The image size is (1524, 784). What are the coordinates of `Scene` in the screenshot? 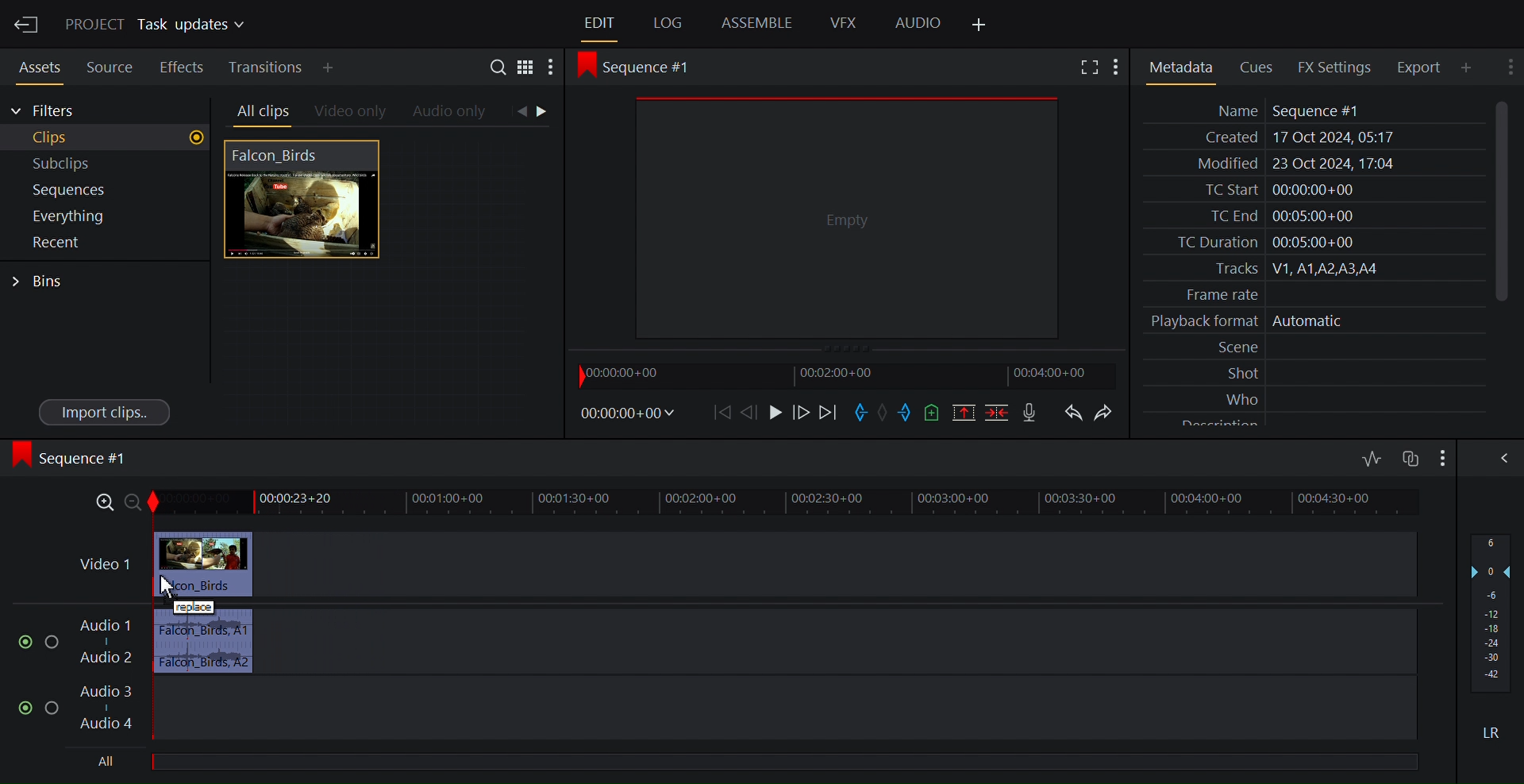 It's located at (1316, 348).